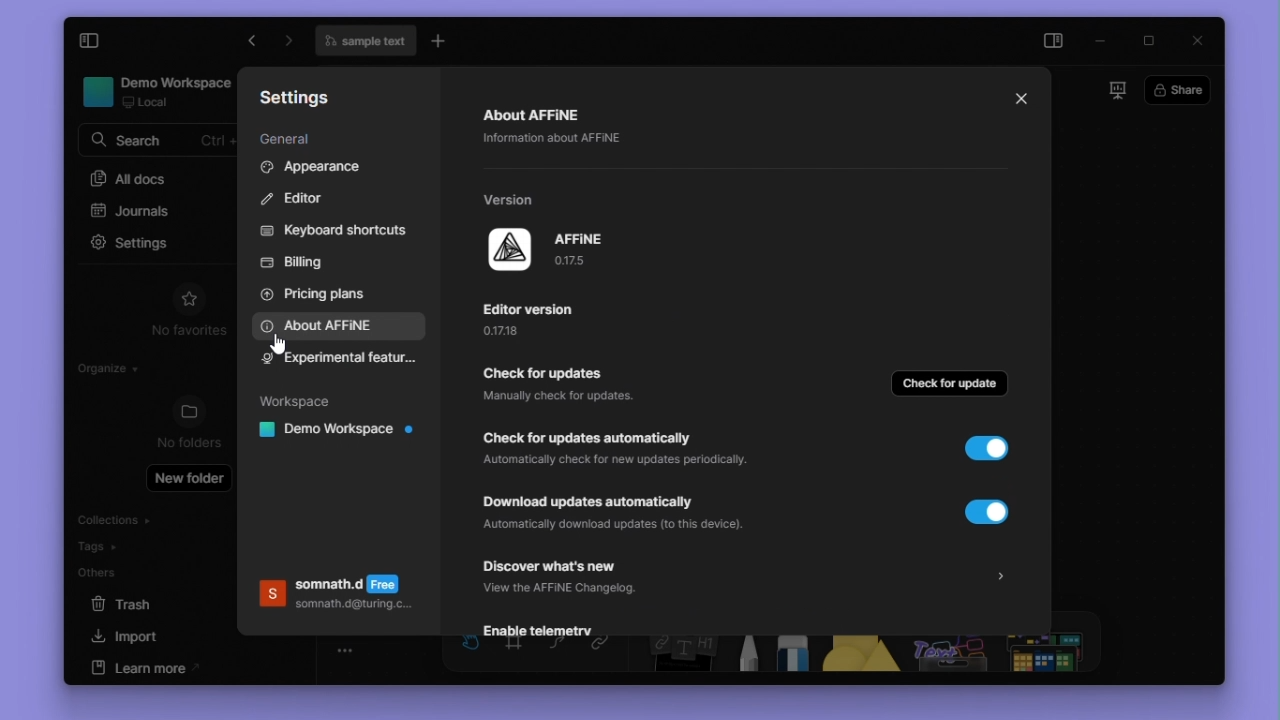 This screenshot has height=720, width=1280. Describe the element at coordinates (336, 599) in the screenshot. I see `Account details` at that location.